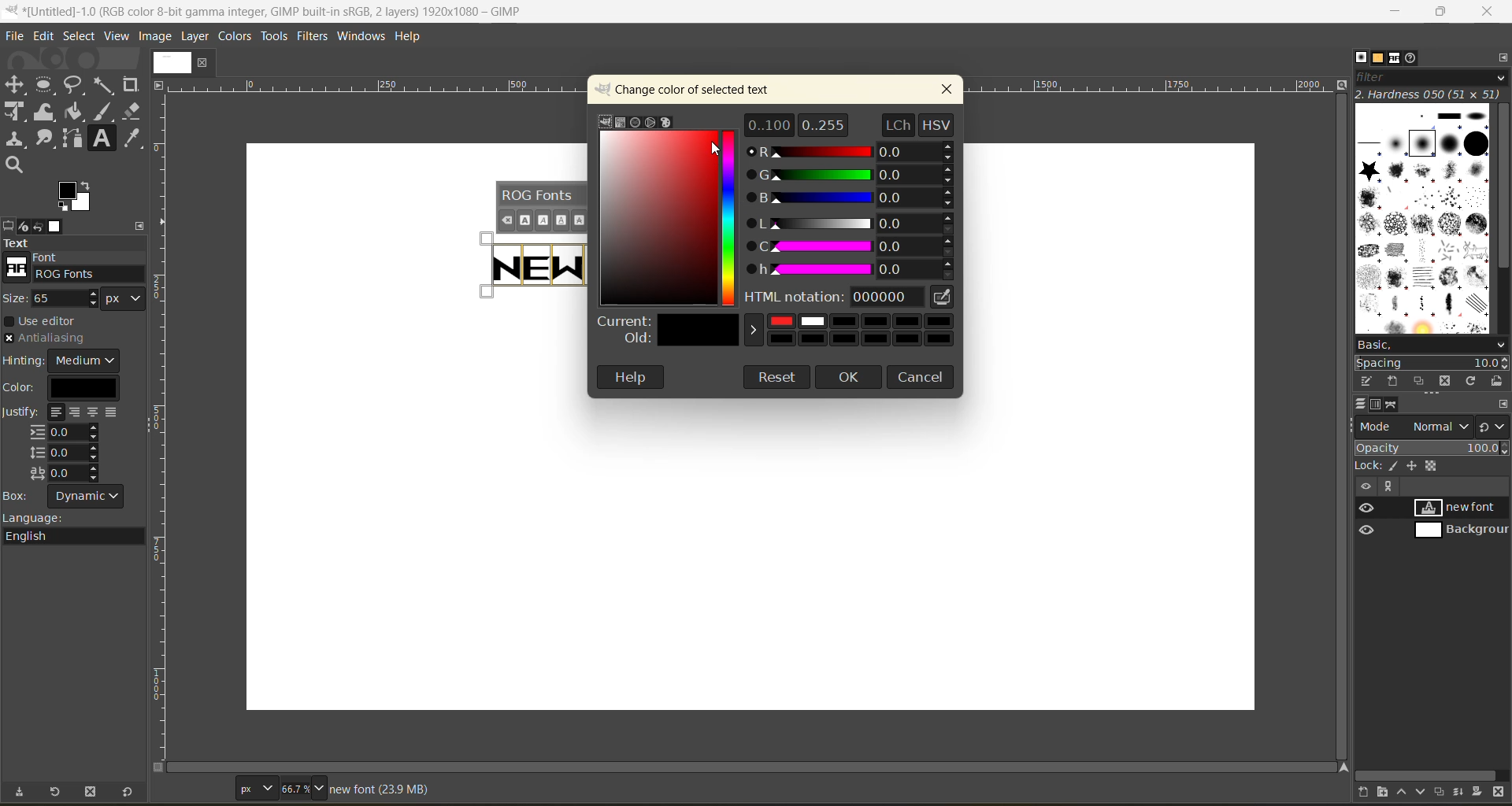 Image resolution: width=1512 pixels, height=806 pixels. Describe the element at coordinates (1392, 405) in the screenshot. I see `paths` at that location.